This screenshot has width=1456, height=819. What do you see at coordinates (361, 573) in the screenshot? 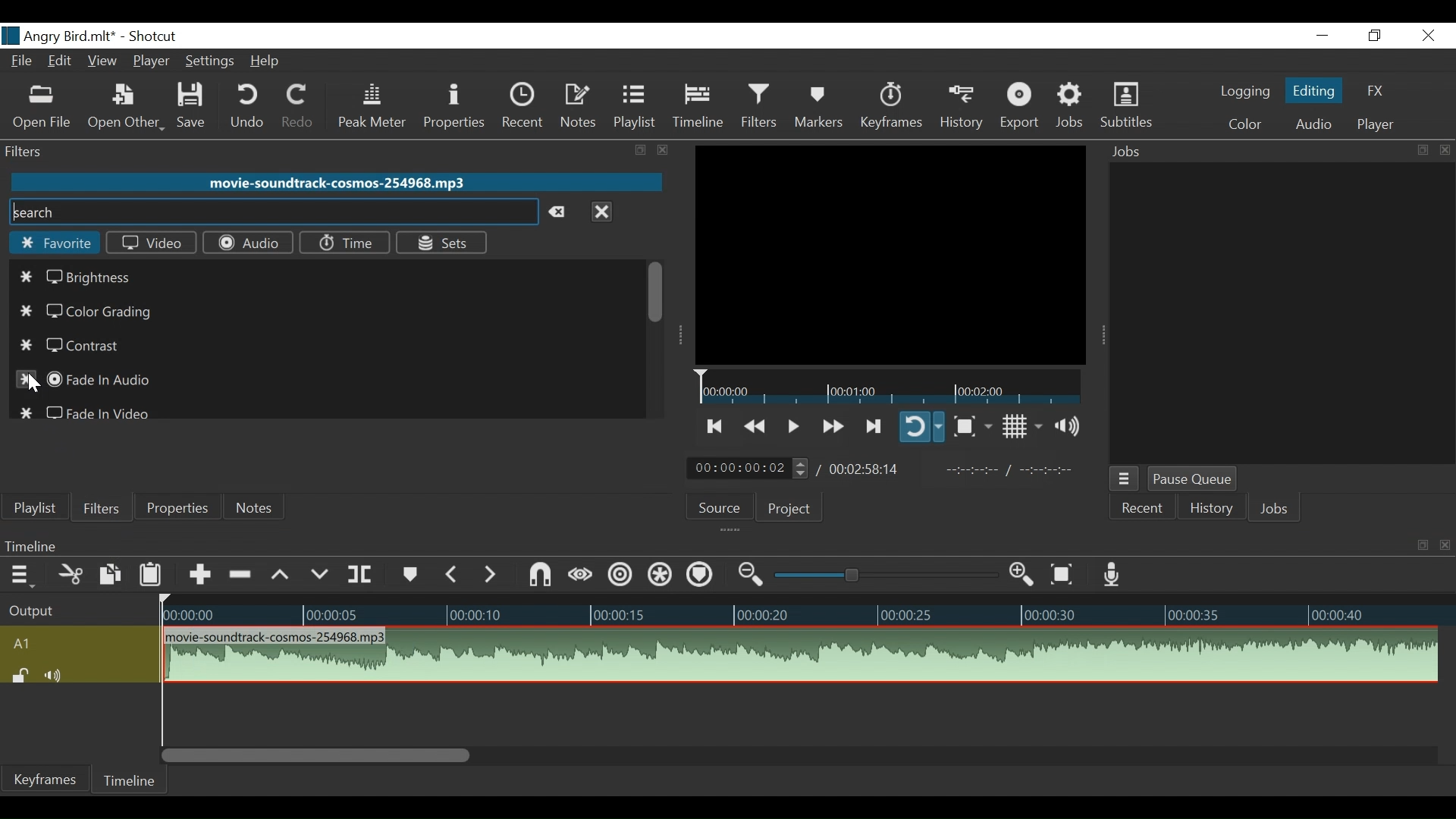
I see `Split at playhead` at bounding box center [361, 573].